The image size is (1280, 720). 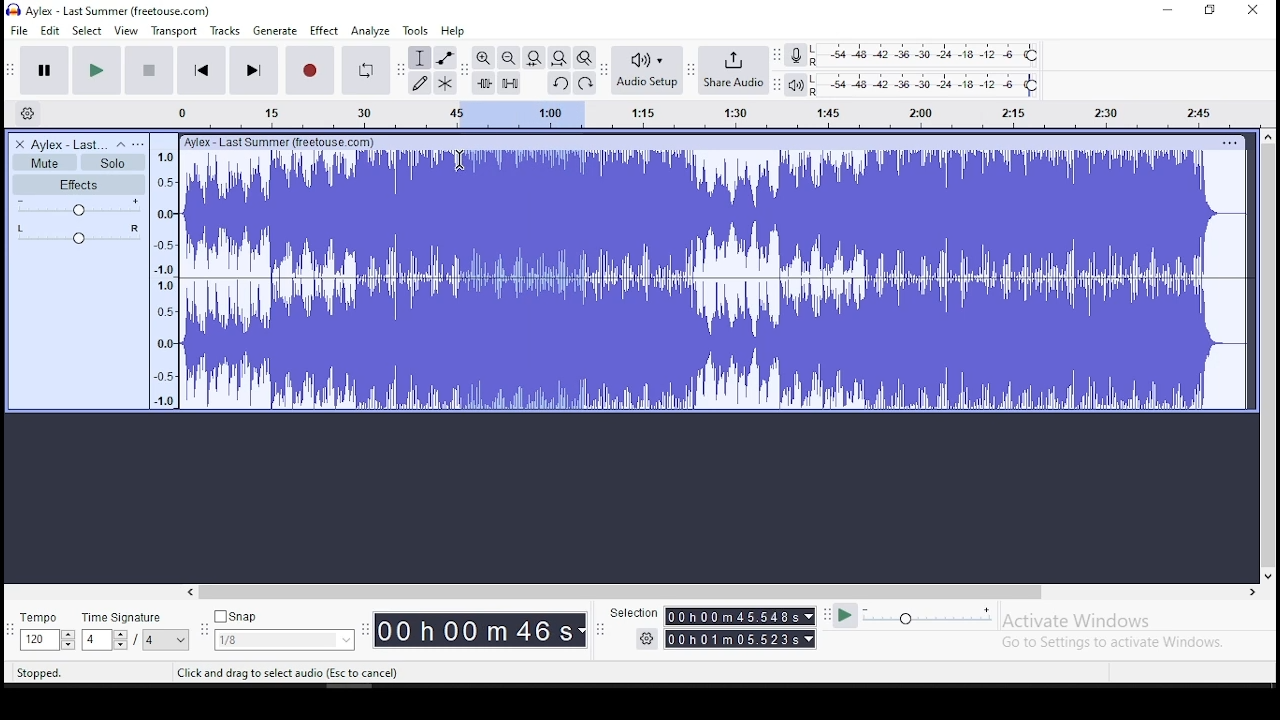 I want to click on analyze, so click(x=372, y=31).